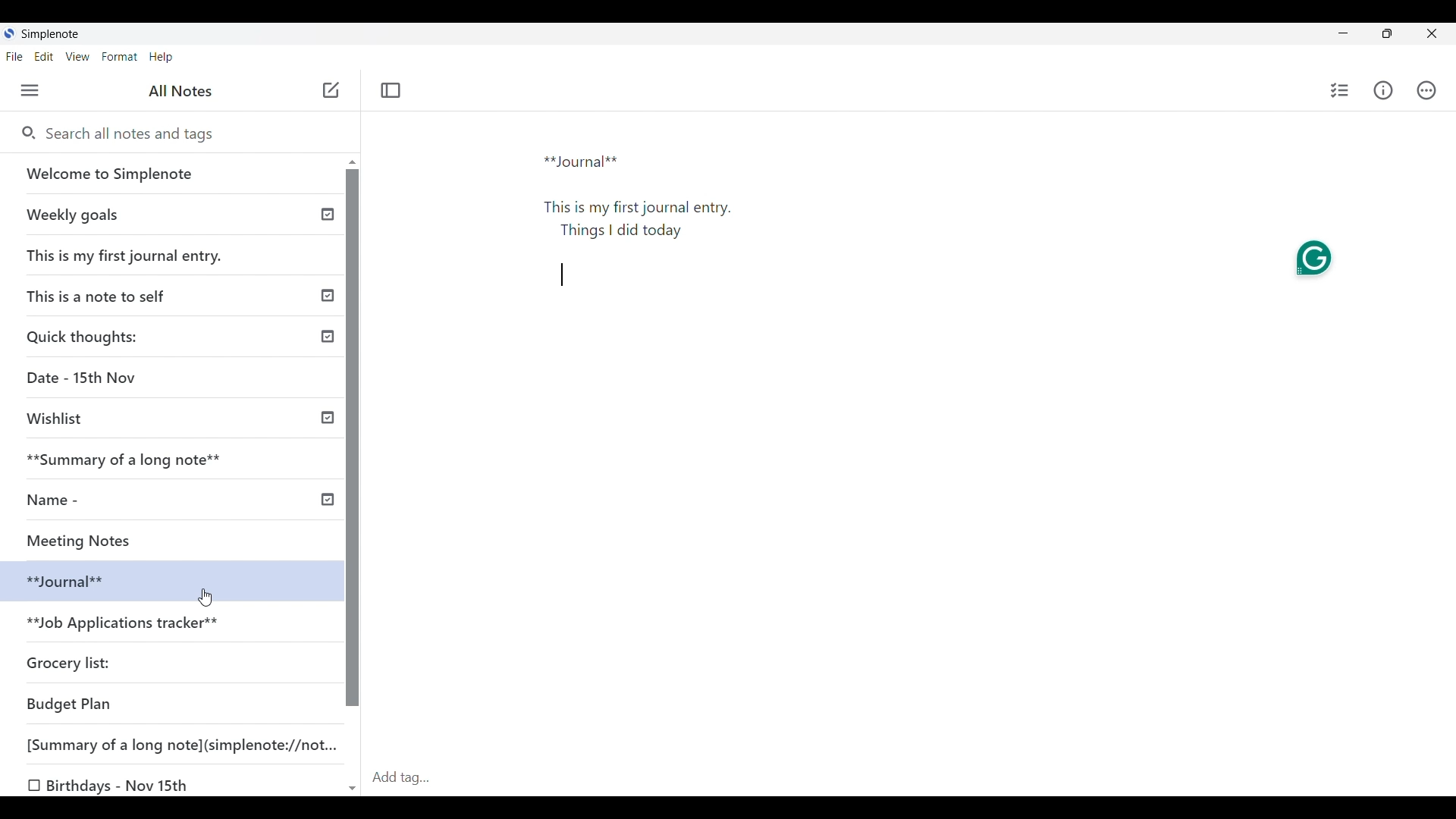 The height and width of the screenshot is (819, 1456). I want to click on **Job Applications tracker**, so click(126, 624).